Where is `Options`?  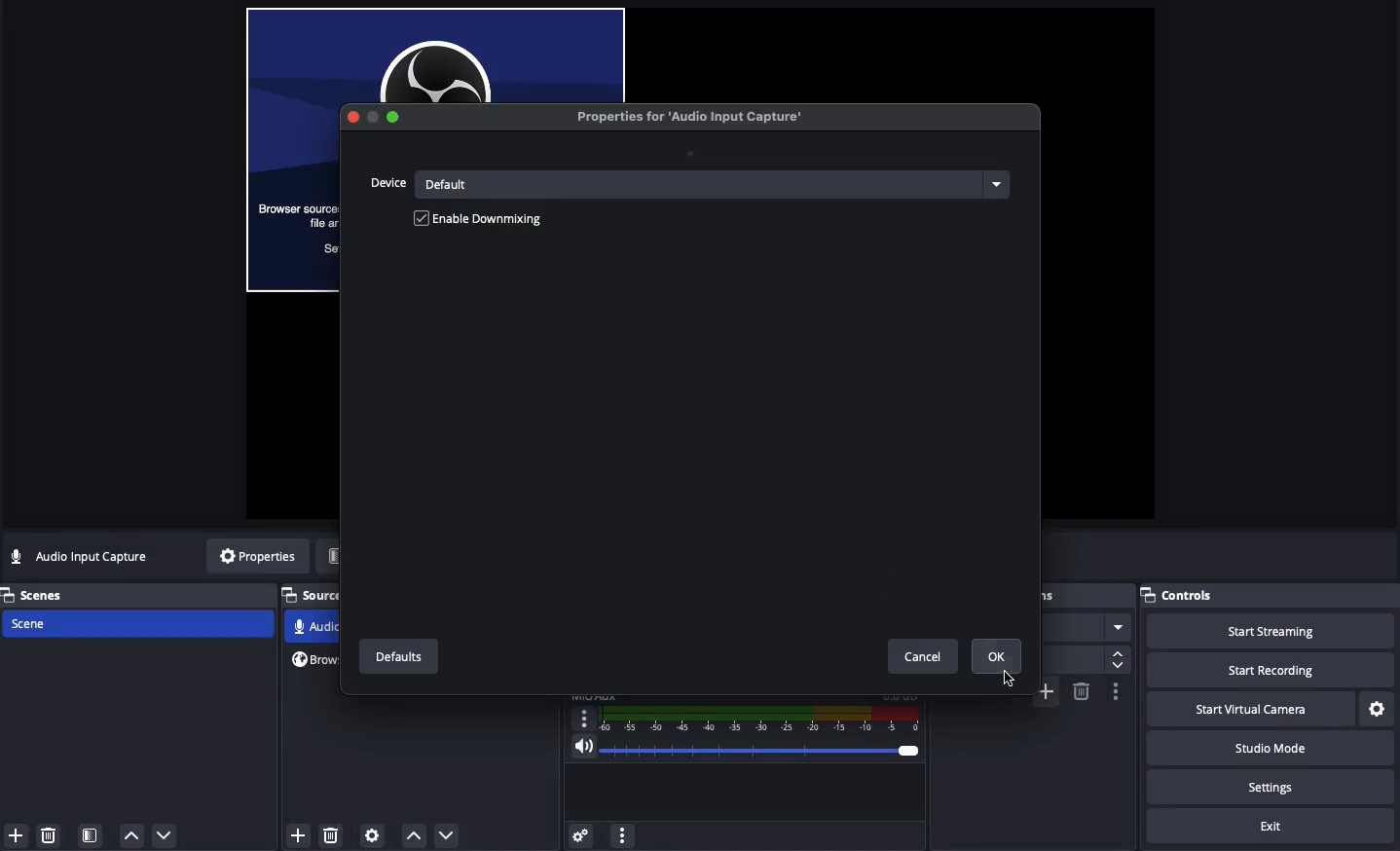 Options is located at coordinates (622, 832).